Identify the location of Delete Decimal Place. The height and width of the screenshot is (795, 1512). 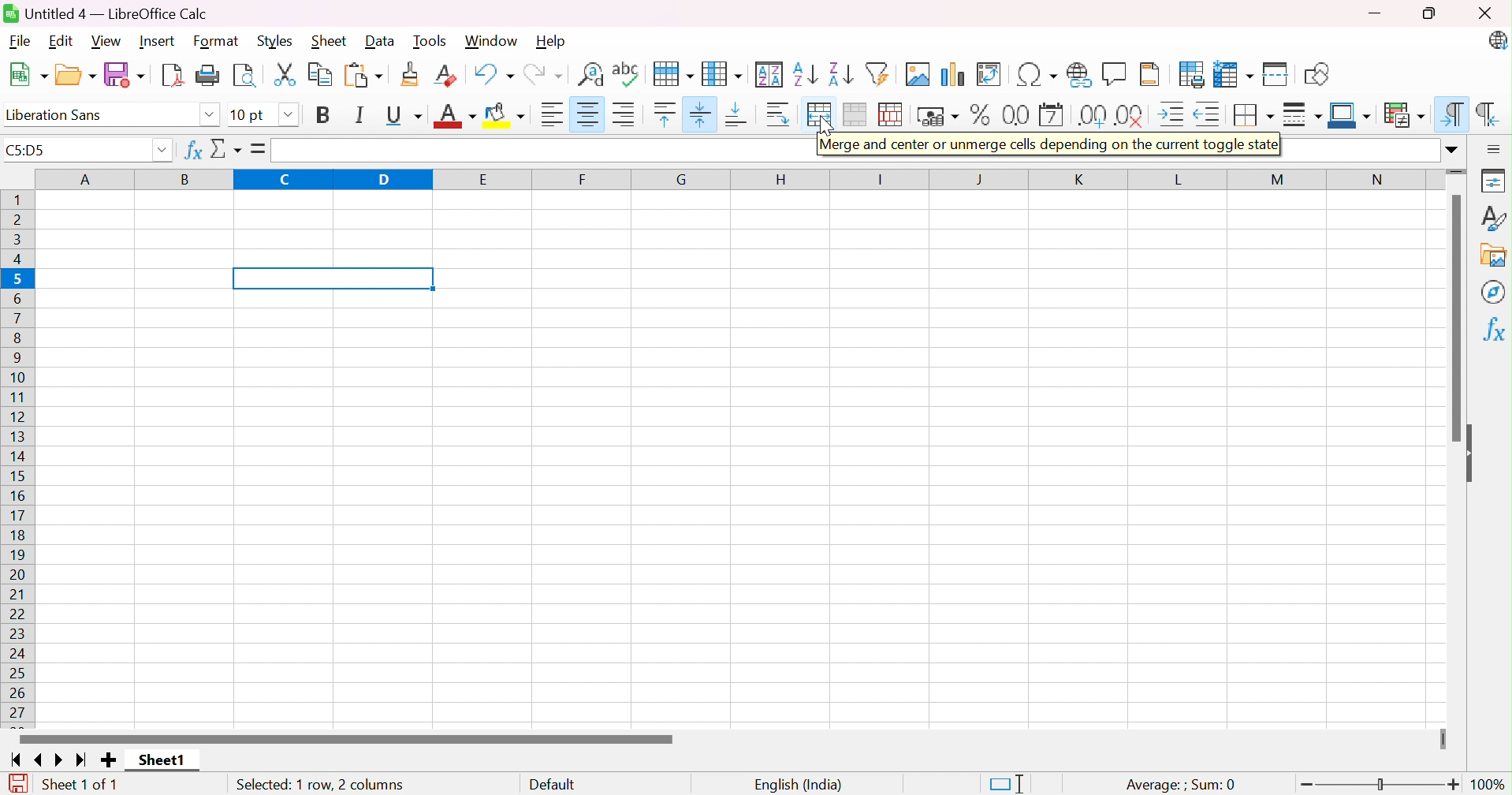
(1133, 114).